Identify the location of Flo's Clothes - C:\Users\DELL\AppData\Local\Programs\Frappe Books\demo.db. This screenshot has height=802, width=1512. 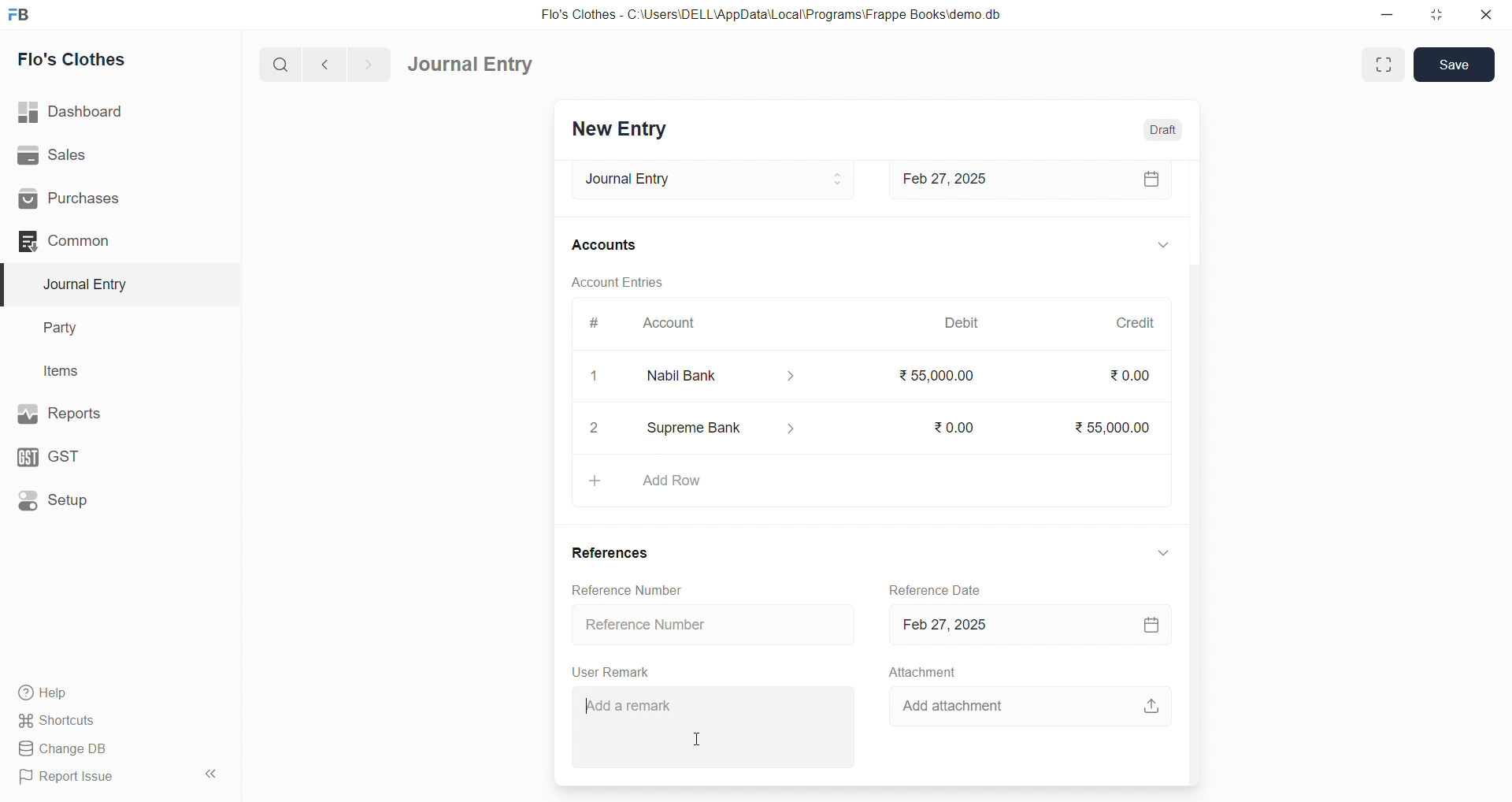
(771, 13).